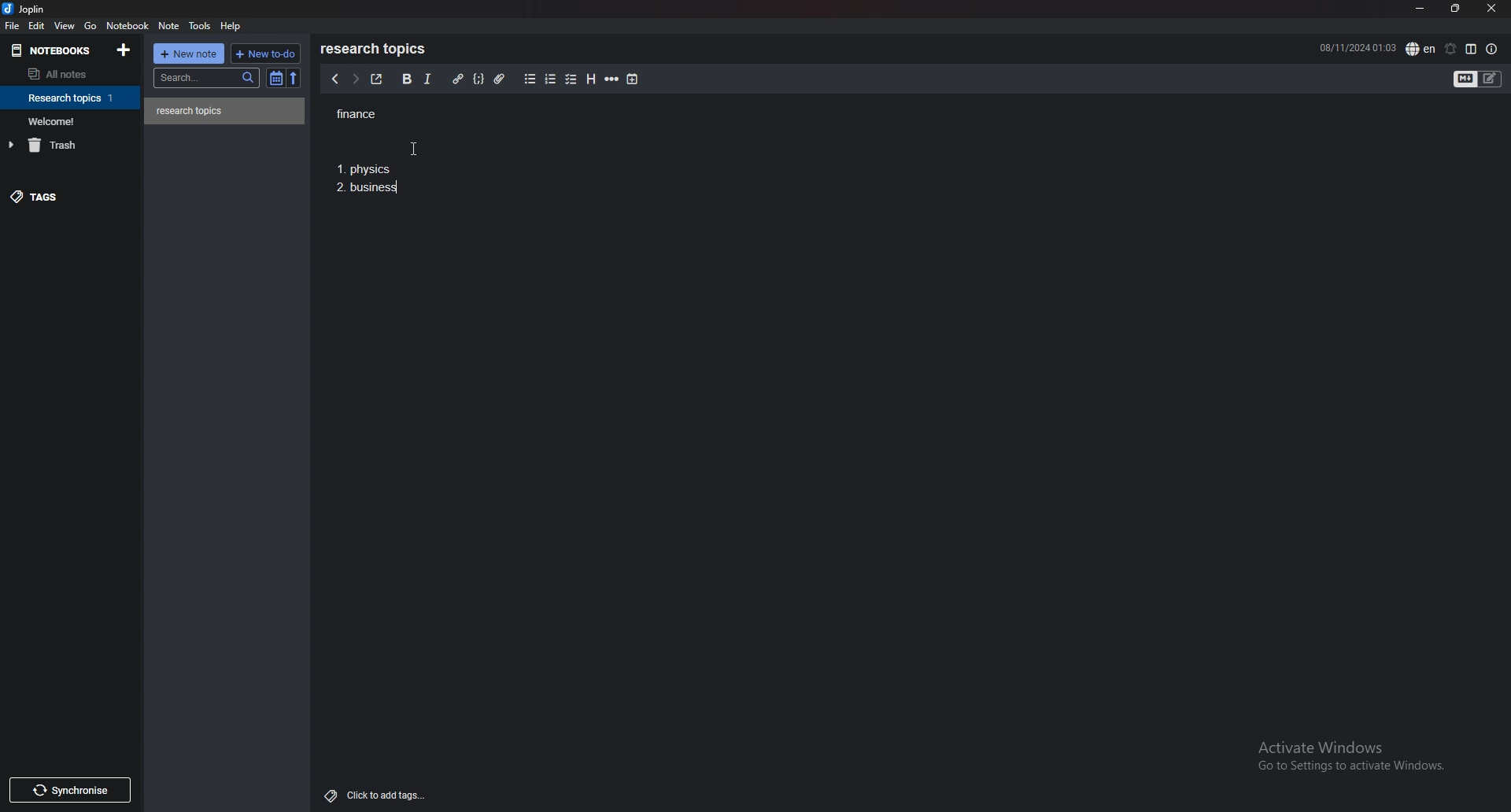  Describe the element at coordinates (499, 78) in the screenshot. I see `attachment` at that location.